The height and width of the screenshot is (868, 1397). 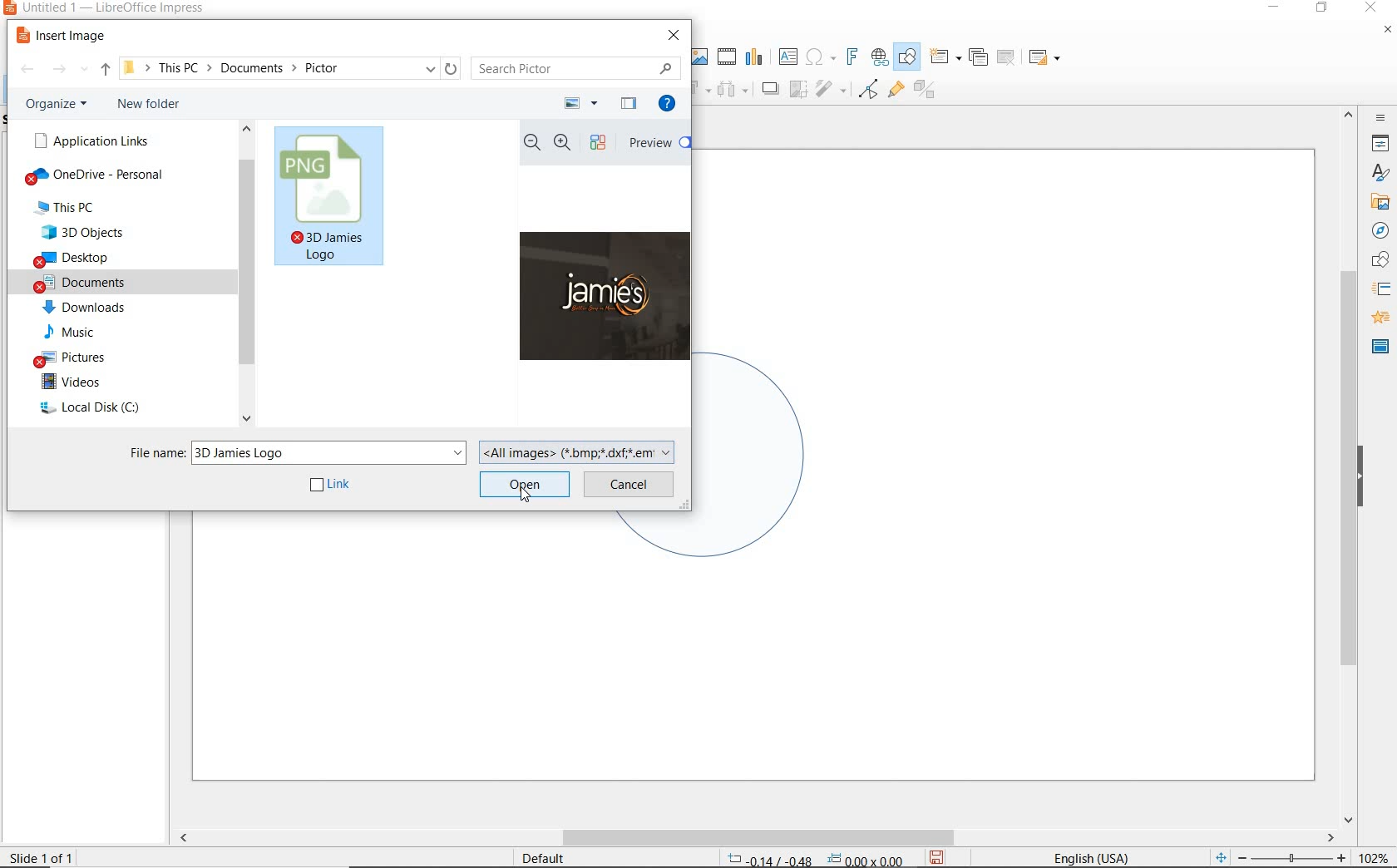 I want to click on crop image, so click(x=797, y=87).